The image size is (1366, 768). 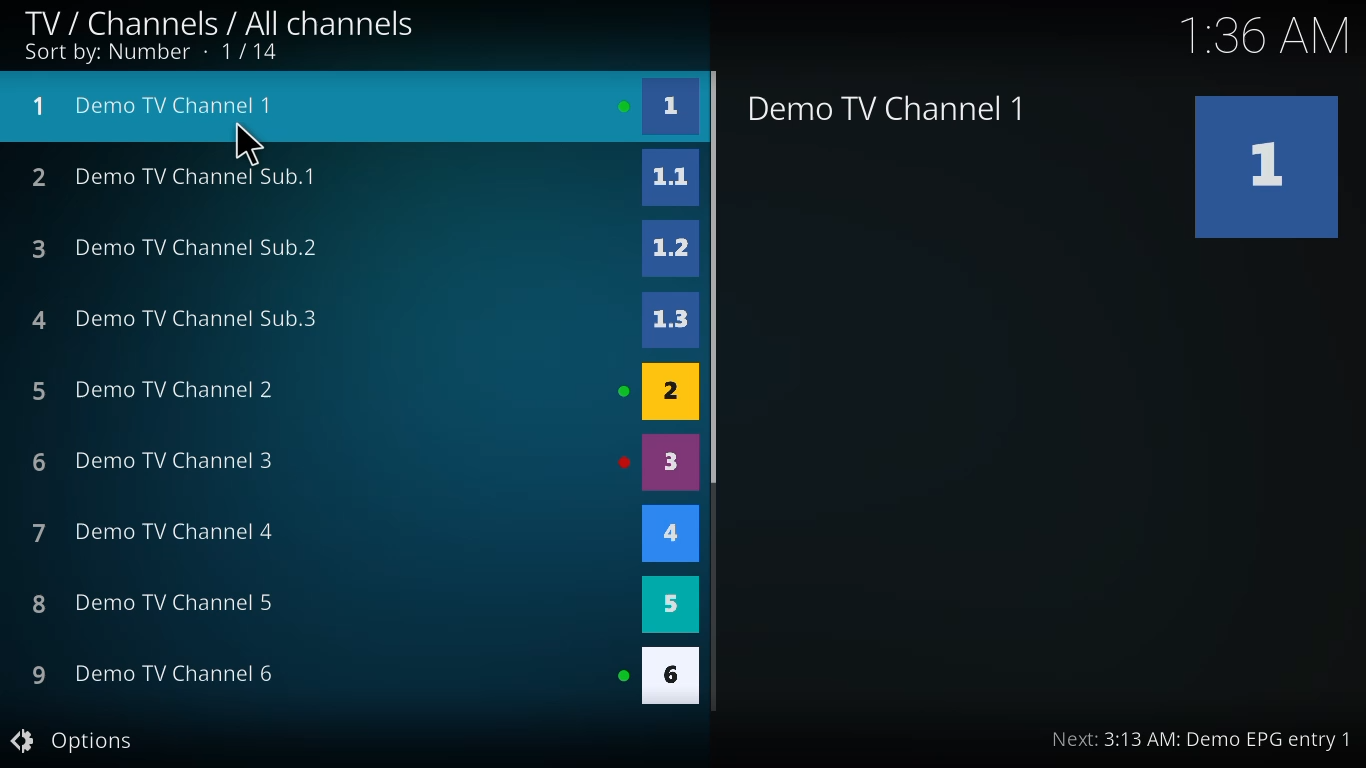 What do you see at coordinates (154, 603) in the screenshot?
I see `demo channel 5` at bounding box center [154, 603].